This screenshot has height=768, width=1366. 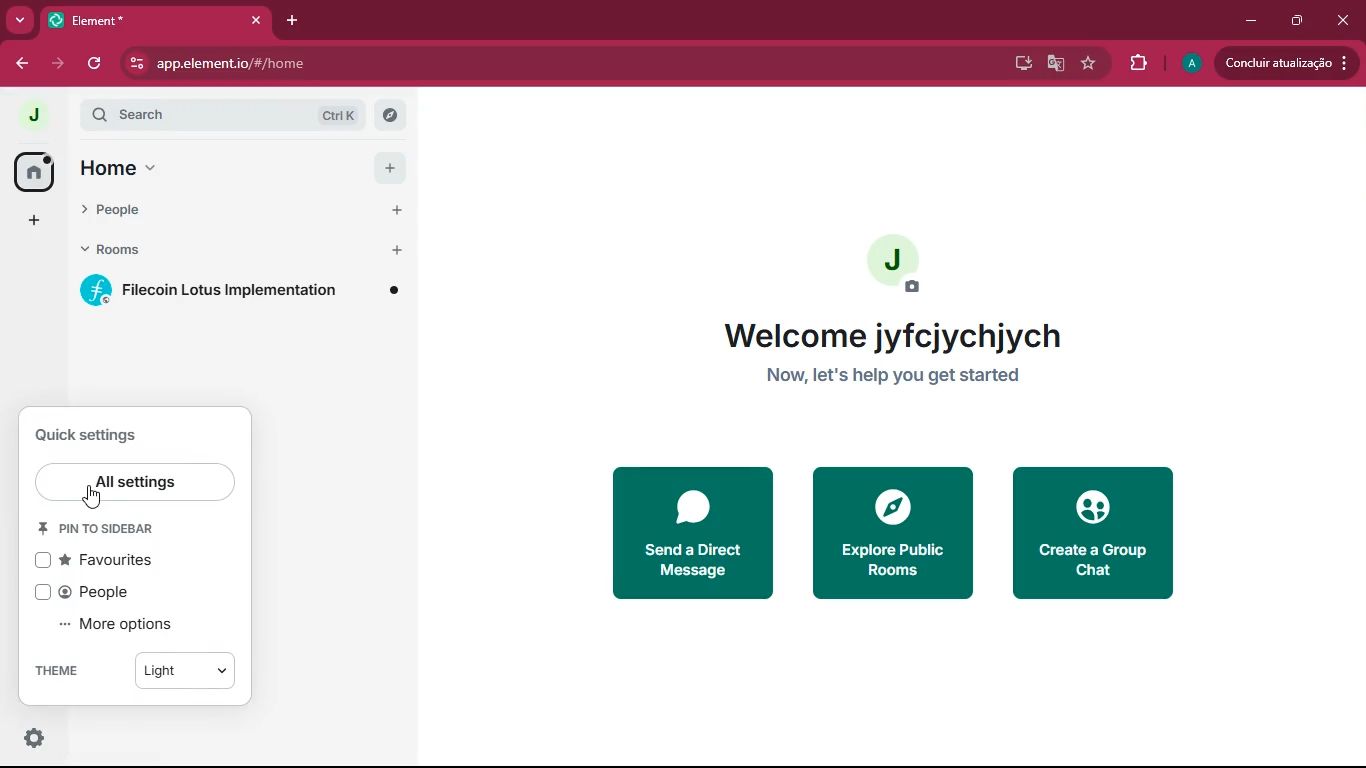 I want to click on search, so click(x=192, y=114).